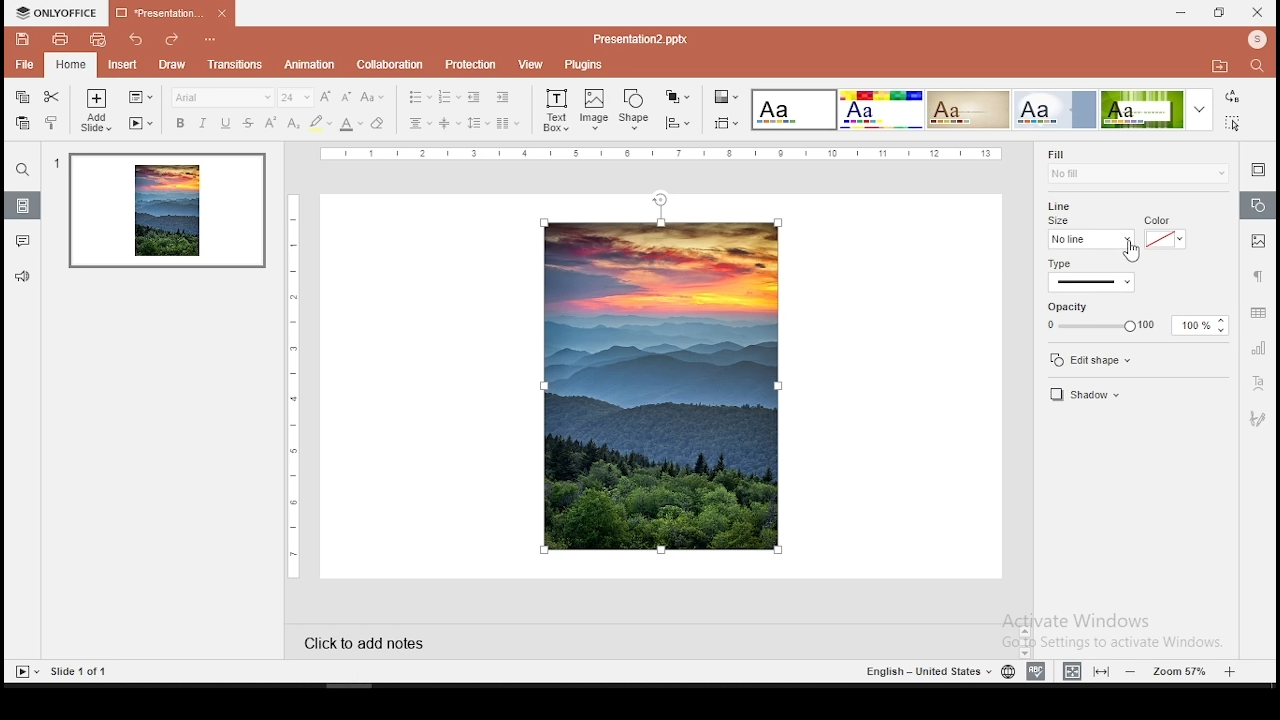 The image size is (1280, 720). Describe the element at coordinates (204, 124) in the screenshot. I see `italics` at that location.